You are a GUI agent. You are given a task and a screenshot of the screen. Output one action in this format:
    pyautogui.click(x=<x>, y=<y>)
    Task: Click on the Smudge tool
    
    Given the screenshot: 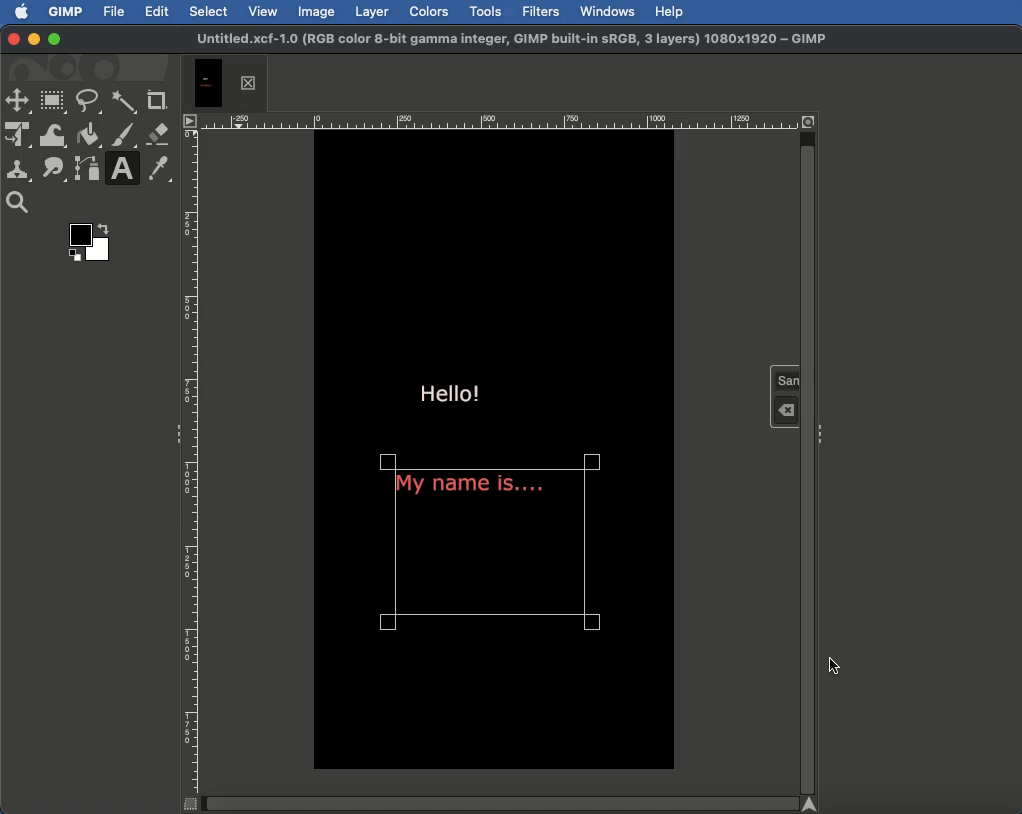 What is the action you would take?
    pyautogui.click(x=53, y=167)
    